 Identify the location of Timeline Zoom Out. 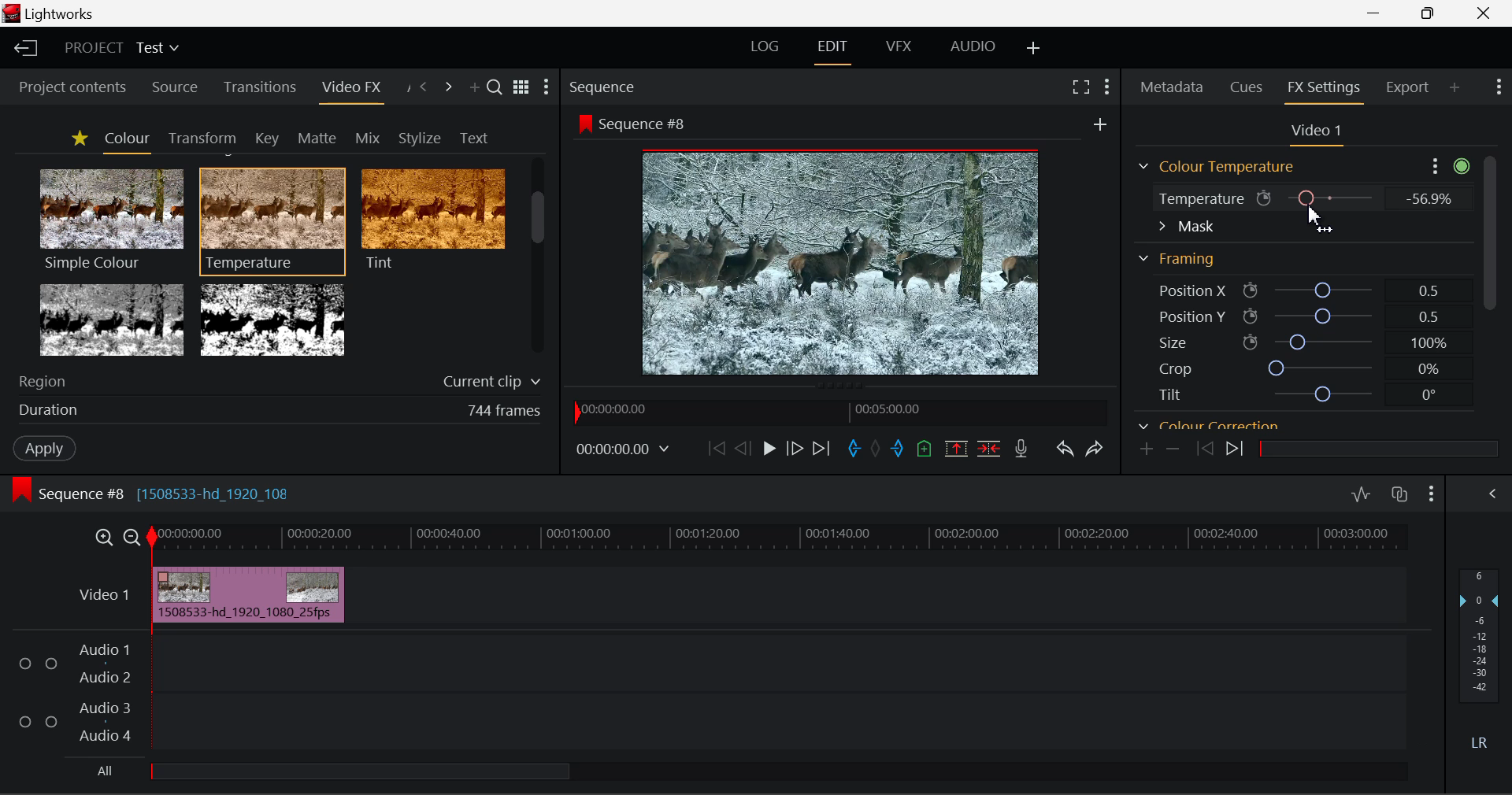
(134, 537).